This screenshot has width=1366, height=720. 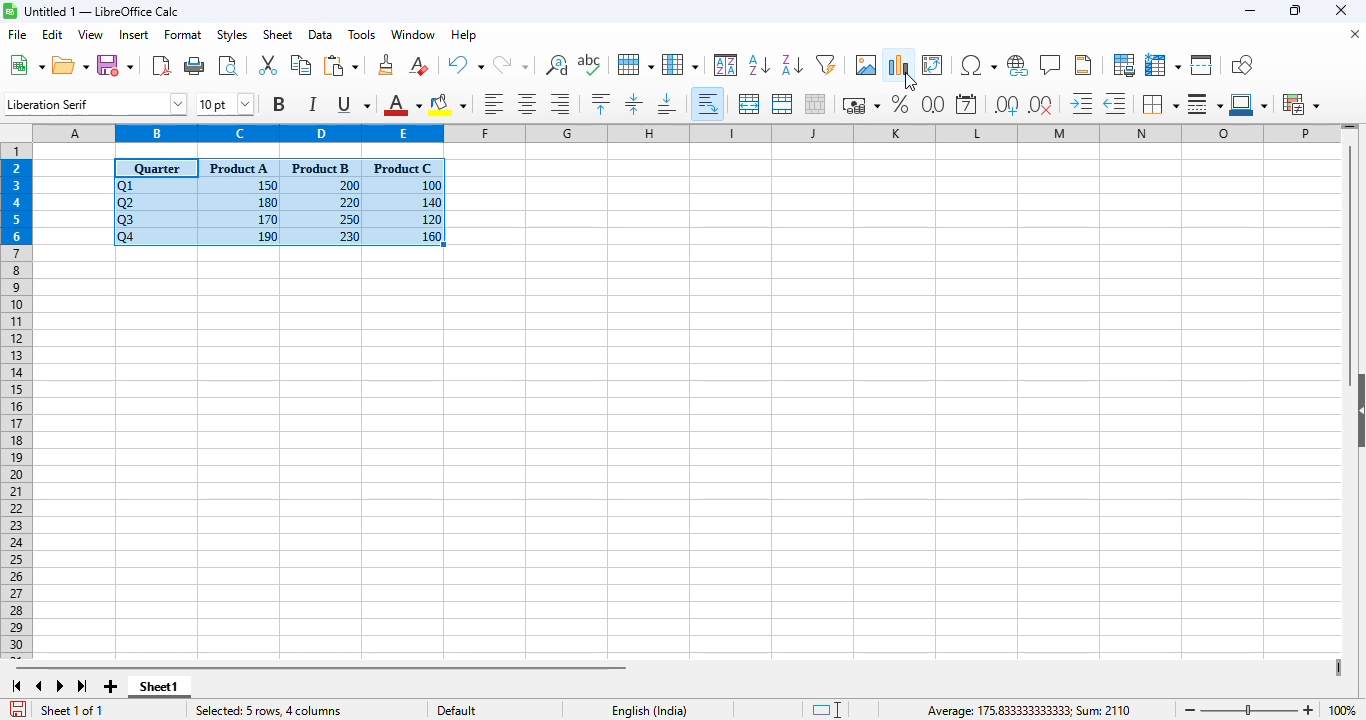 What do you see at coordinates (1205, 104) in the screenshot?
I see `border style` at bounding box center [1205, 104].